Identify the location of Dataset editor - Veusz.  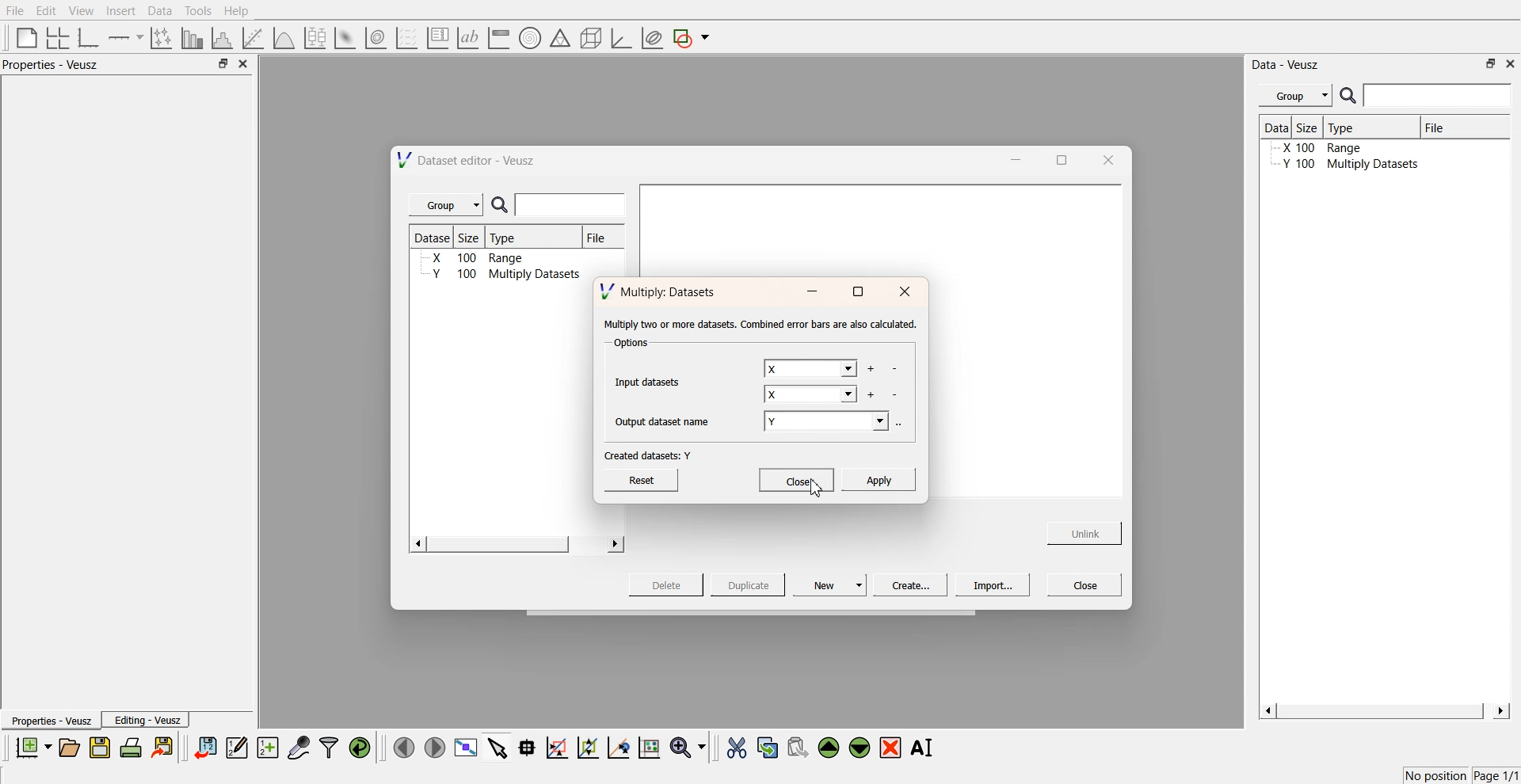
(468, 160).